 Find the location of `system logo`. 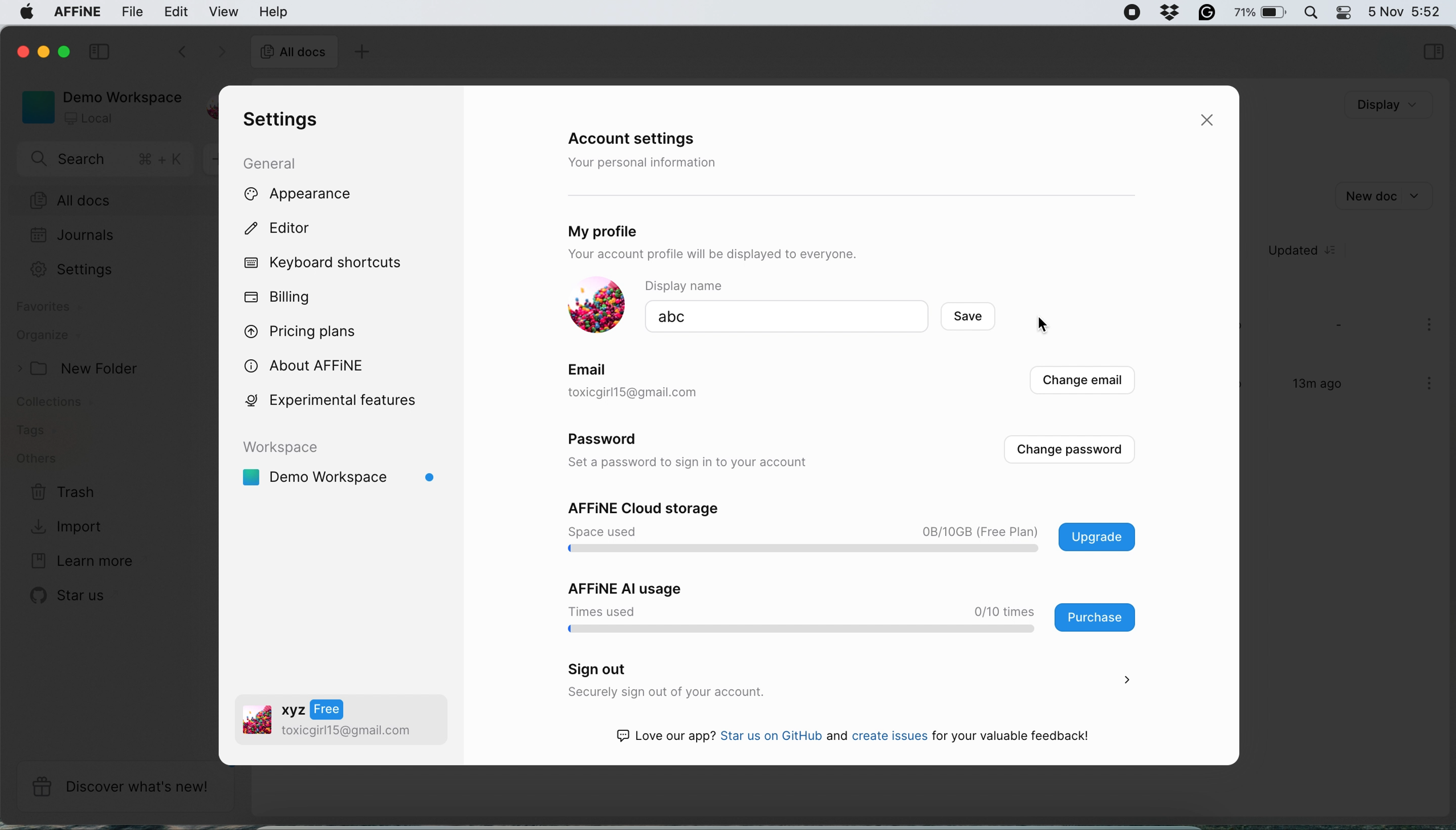

system logo is located at coordinates (22, 14).